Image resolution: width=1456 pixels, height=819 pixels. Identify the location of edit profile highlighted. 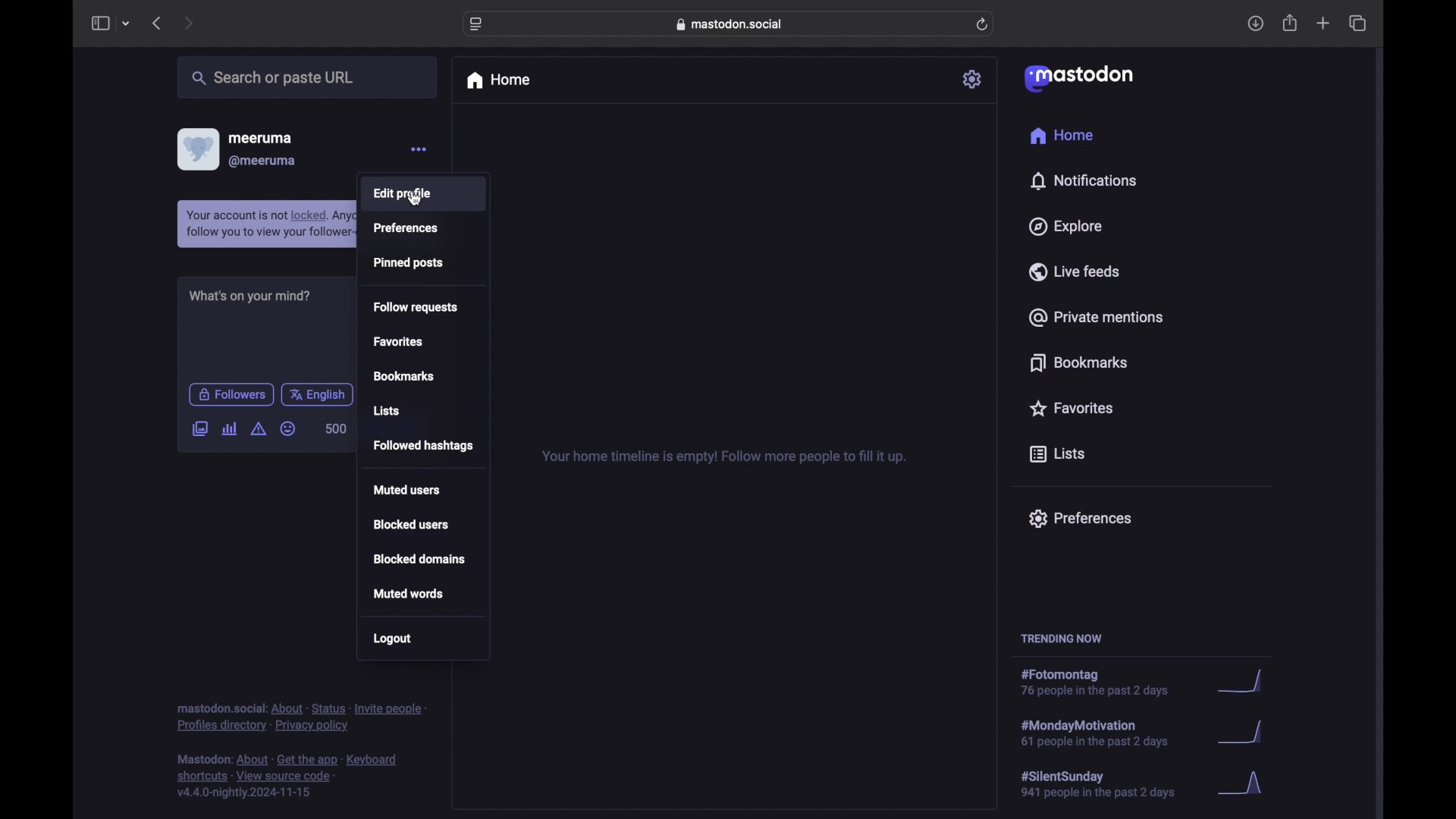
(424, 193).